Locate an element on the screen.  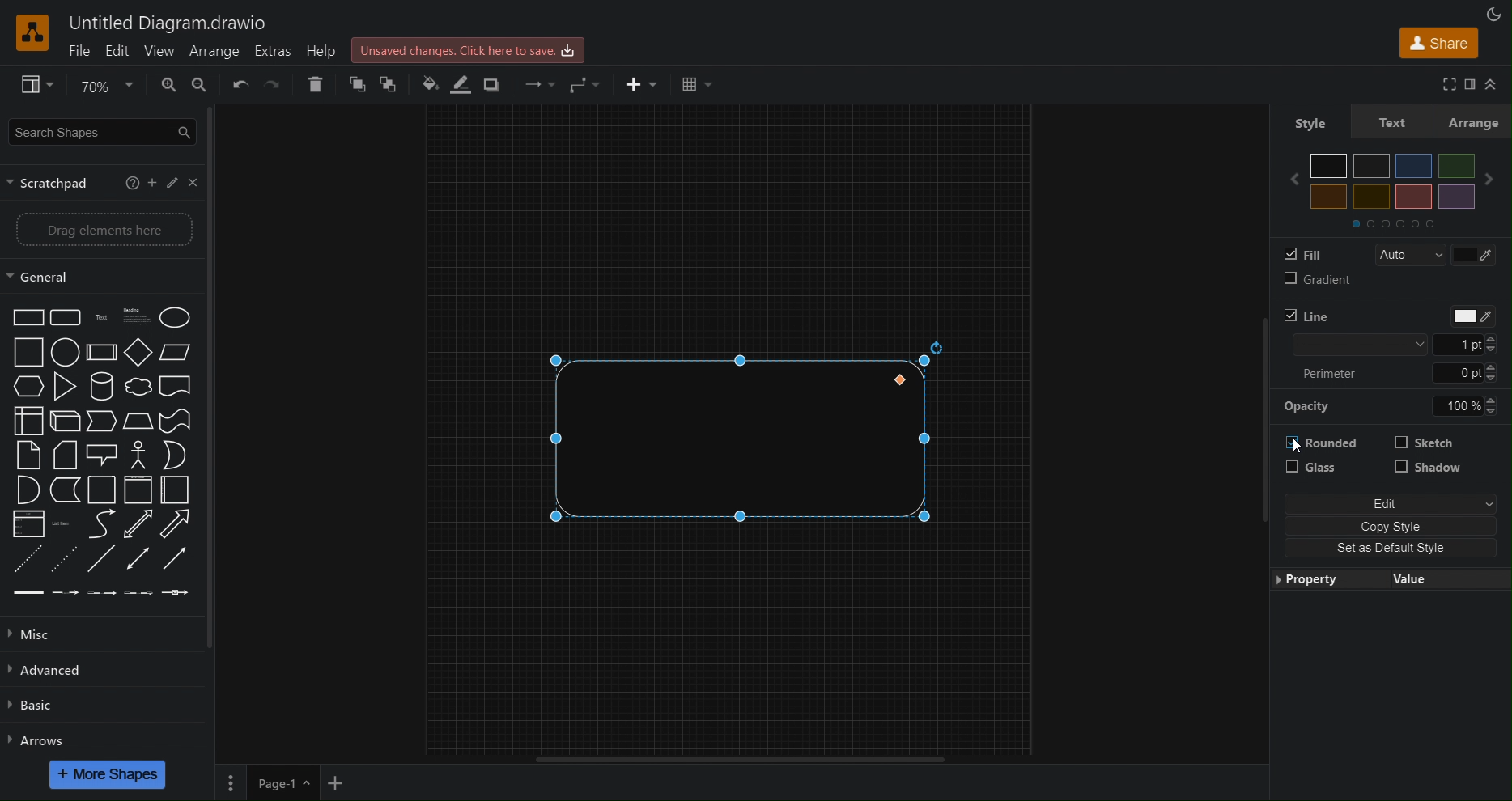
Add More Pages is located at coordinates (336, 783).